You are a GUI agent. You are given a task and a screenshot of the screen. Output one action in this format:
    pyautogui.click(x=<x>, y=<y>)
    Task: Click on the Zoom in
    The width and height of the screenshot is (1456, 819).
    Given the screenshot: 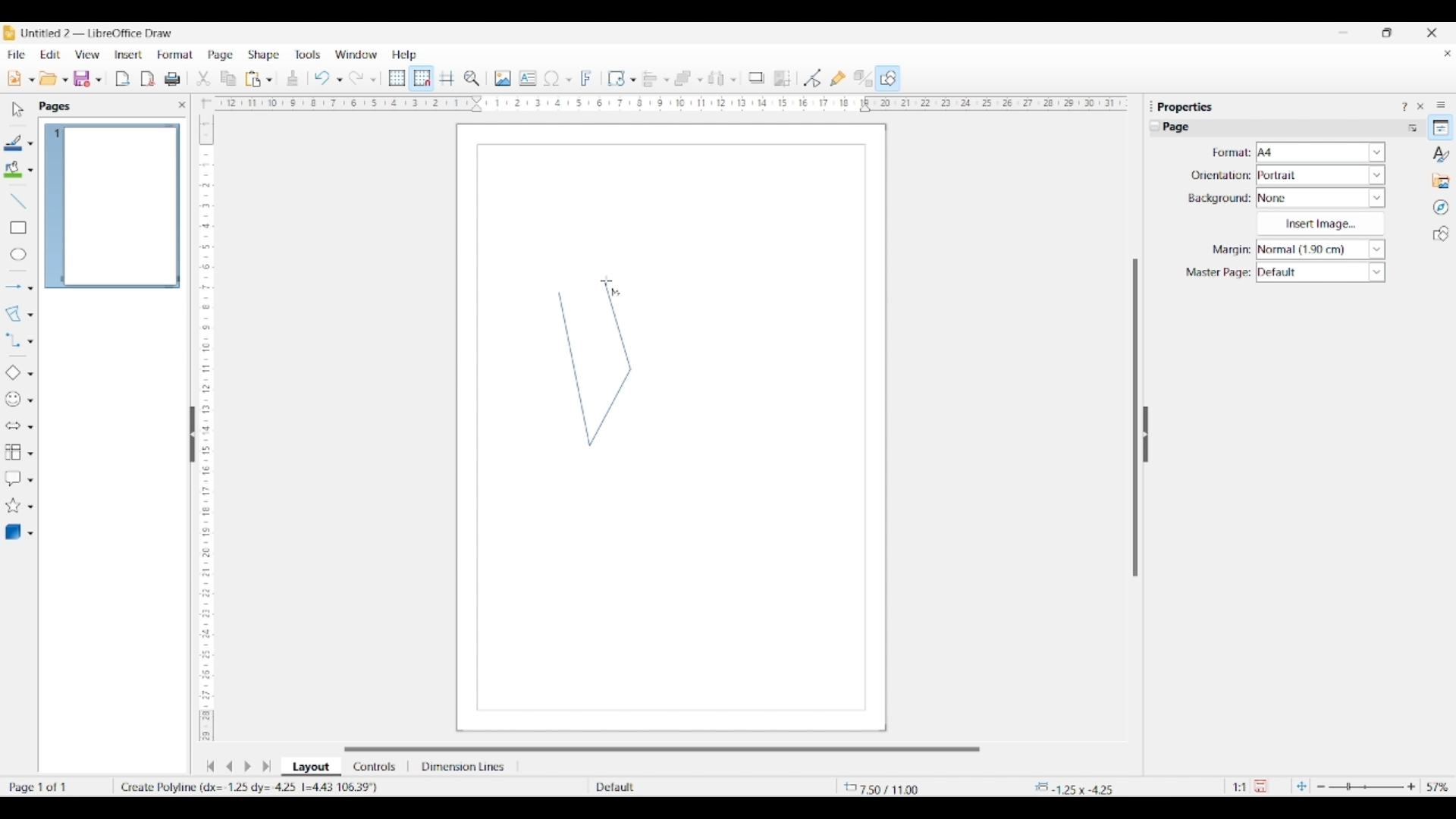 What is the action you would take?
    pyautogui.click(x=1411, y=786)
    